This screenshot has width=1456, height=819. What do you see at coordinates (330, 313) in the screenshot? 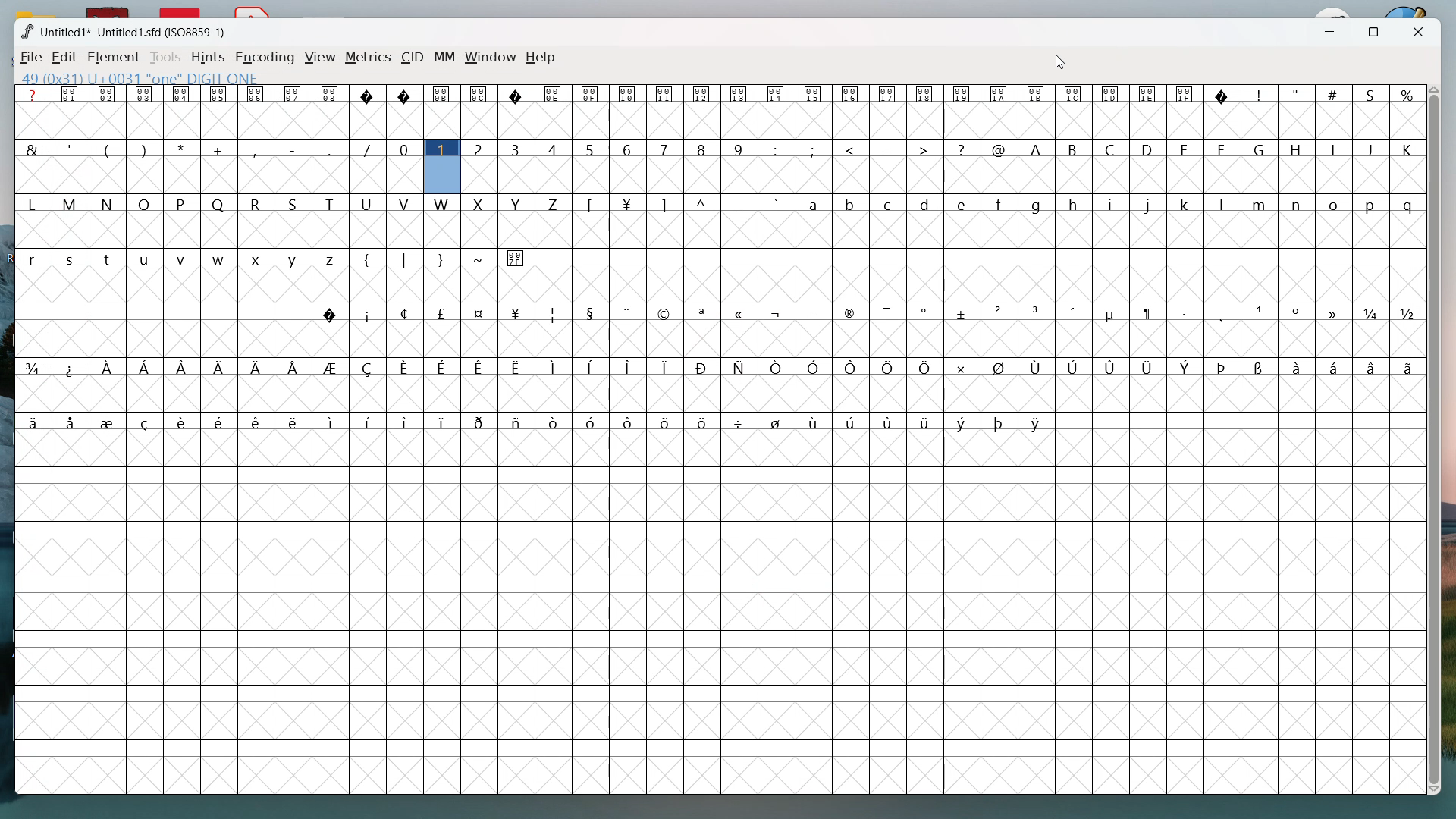
I see `symbol` at bounding box center [330, 313].